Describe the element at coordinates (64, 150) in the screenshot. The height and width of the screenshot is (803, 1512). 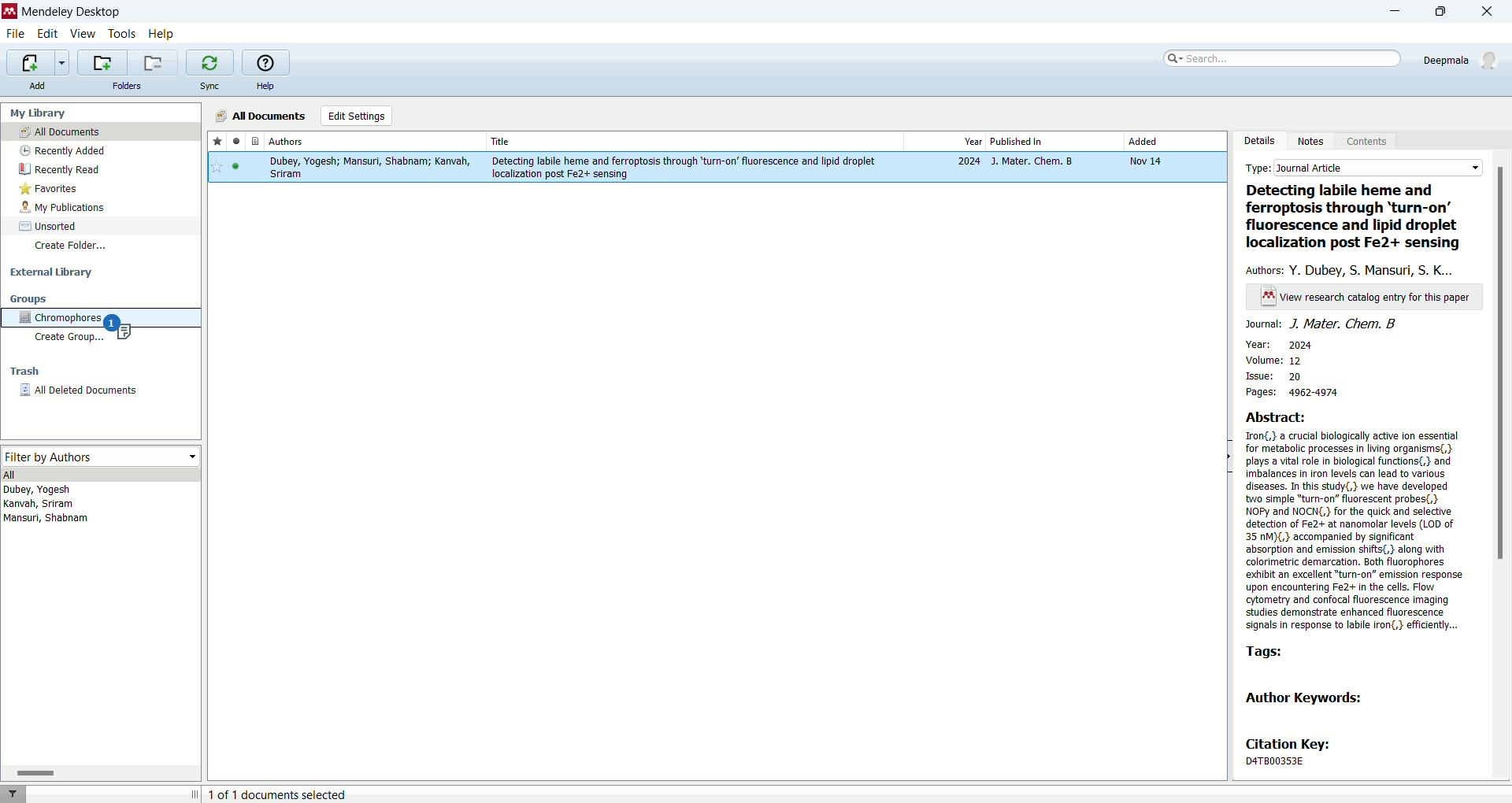
I see `recently added` at that location.